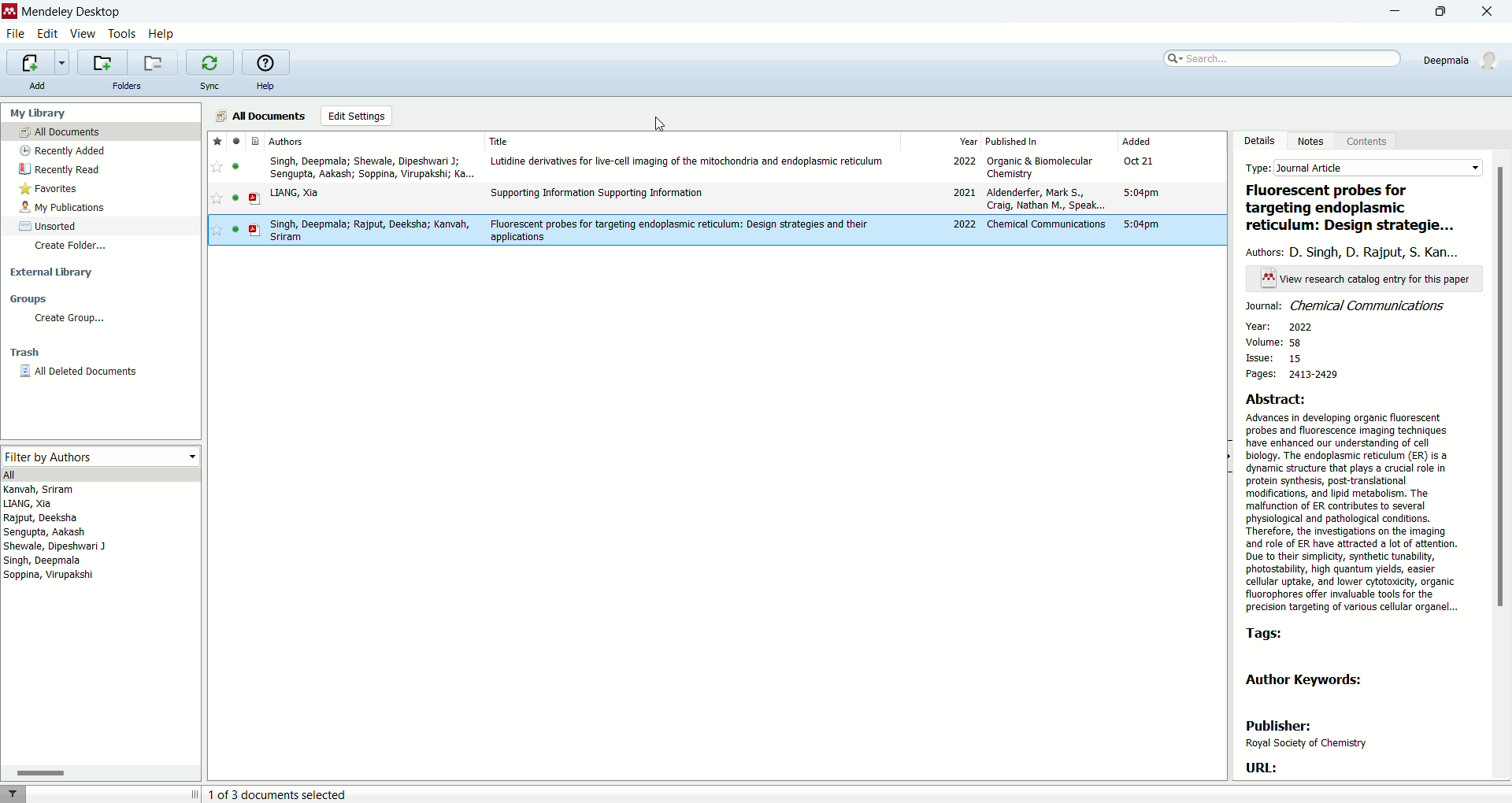 This screenshot has width=1512, height=803. What do you see at coordinates (38, 84) in the screenshot?
I see `add` at bounding box center [38, 84].